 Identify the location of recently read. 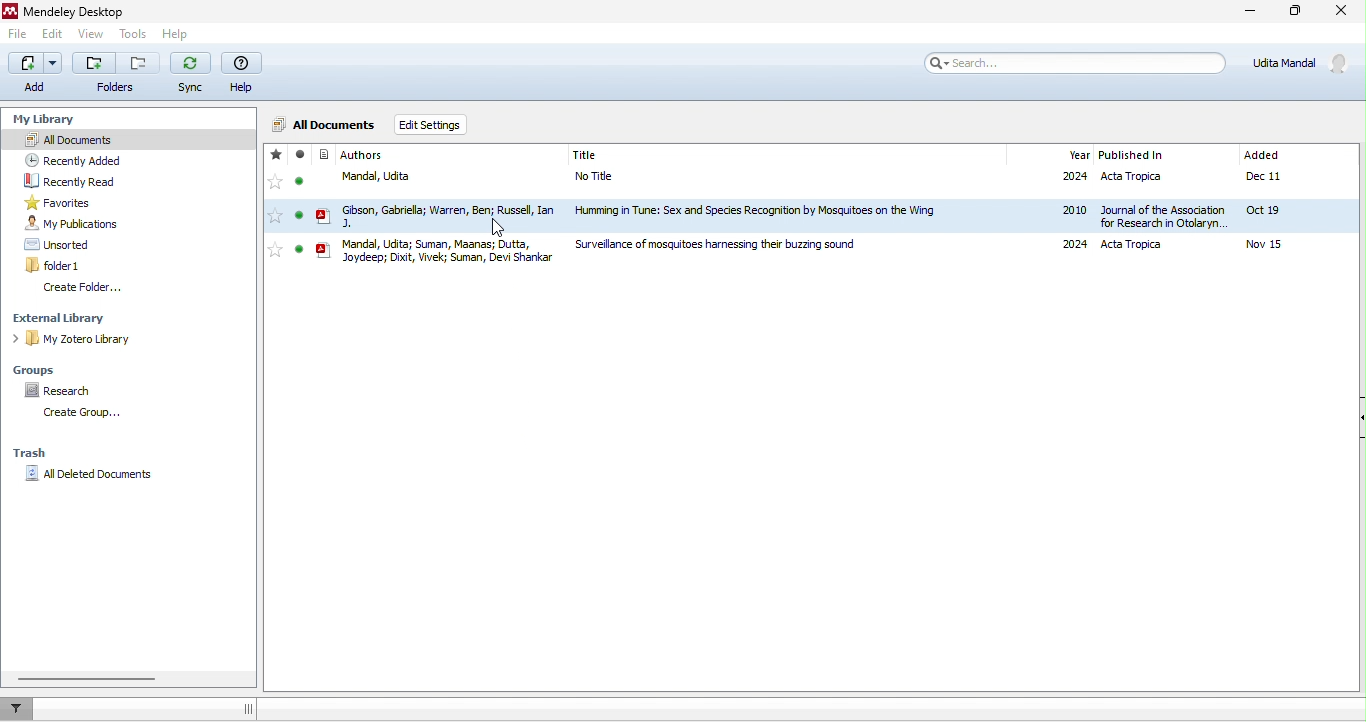
(69, 180).